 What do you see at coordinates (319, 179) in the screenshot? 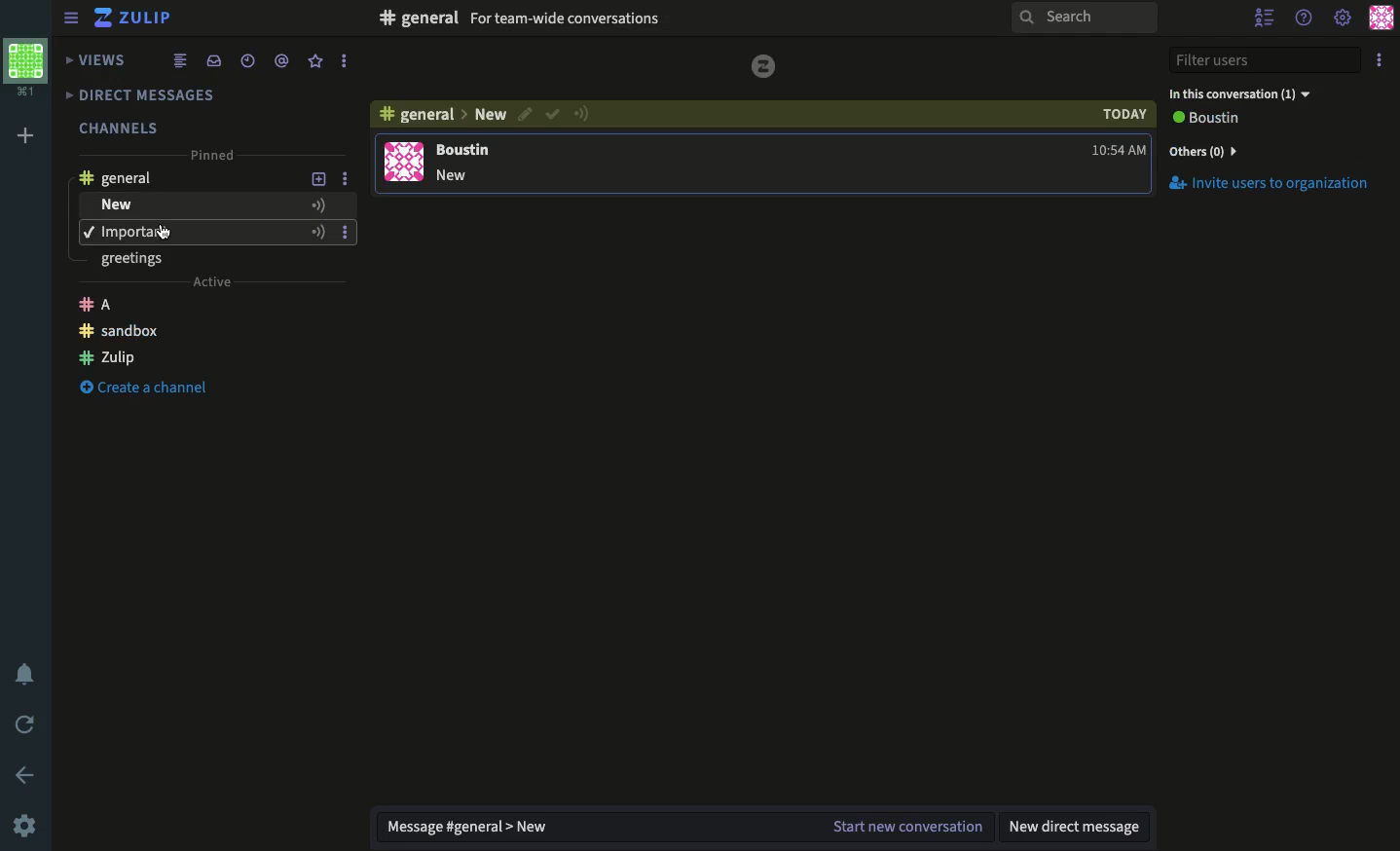
I see `Add` at bounding box center [319, 179].